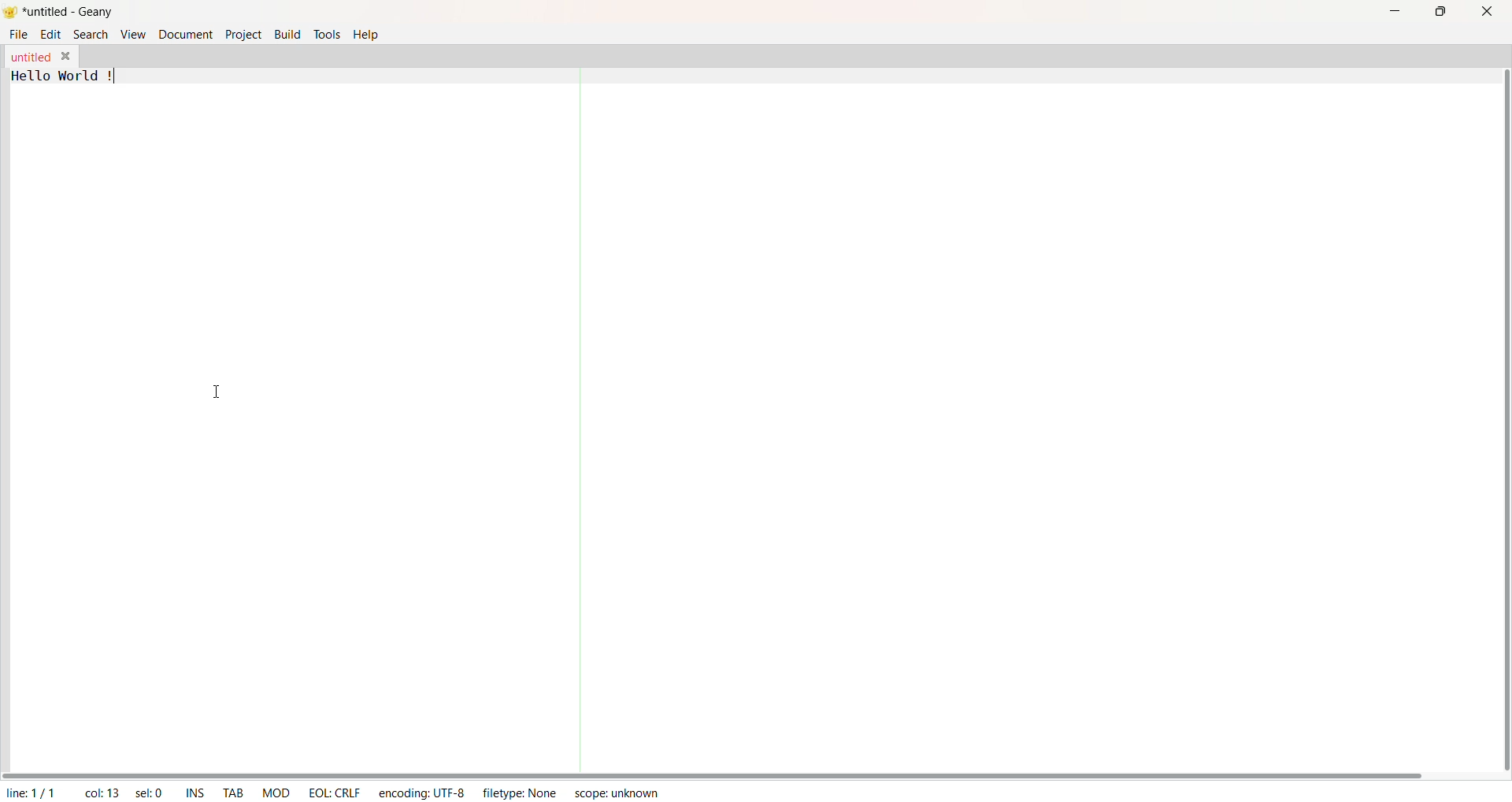  I want to click on MOD, so click(276, 791).